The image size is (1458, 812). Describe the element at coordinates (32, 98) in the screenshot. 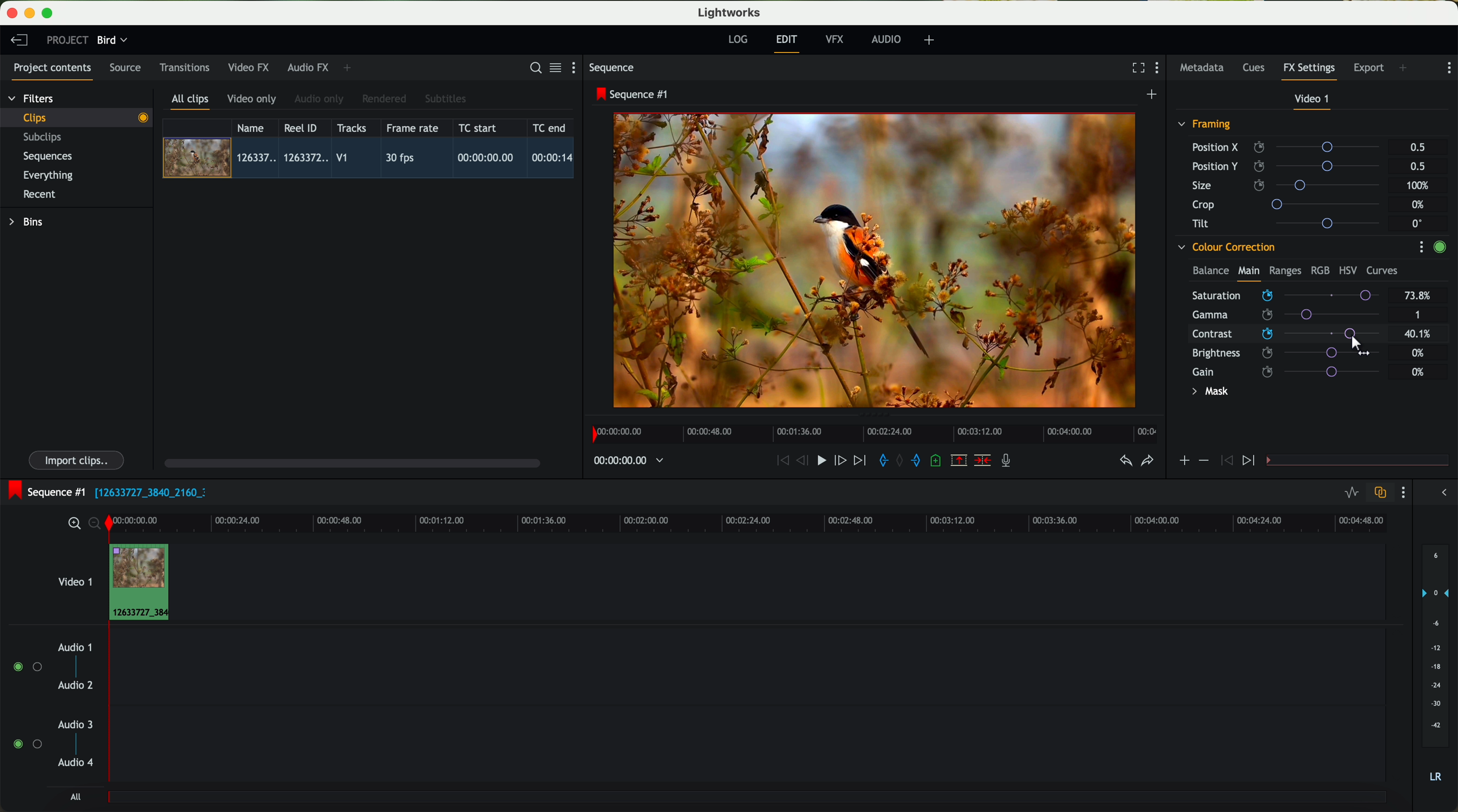

I see `filters` at that location.